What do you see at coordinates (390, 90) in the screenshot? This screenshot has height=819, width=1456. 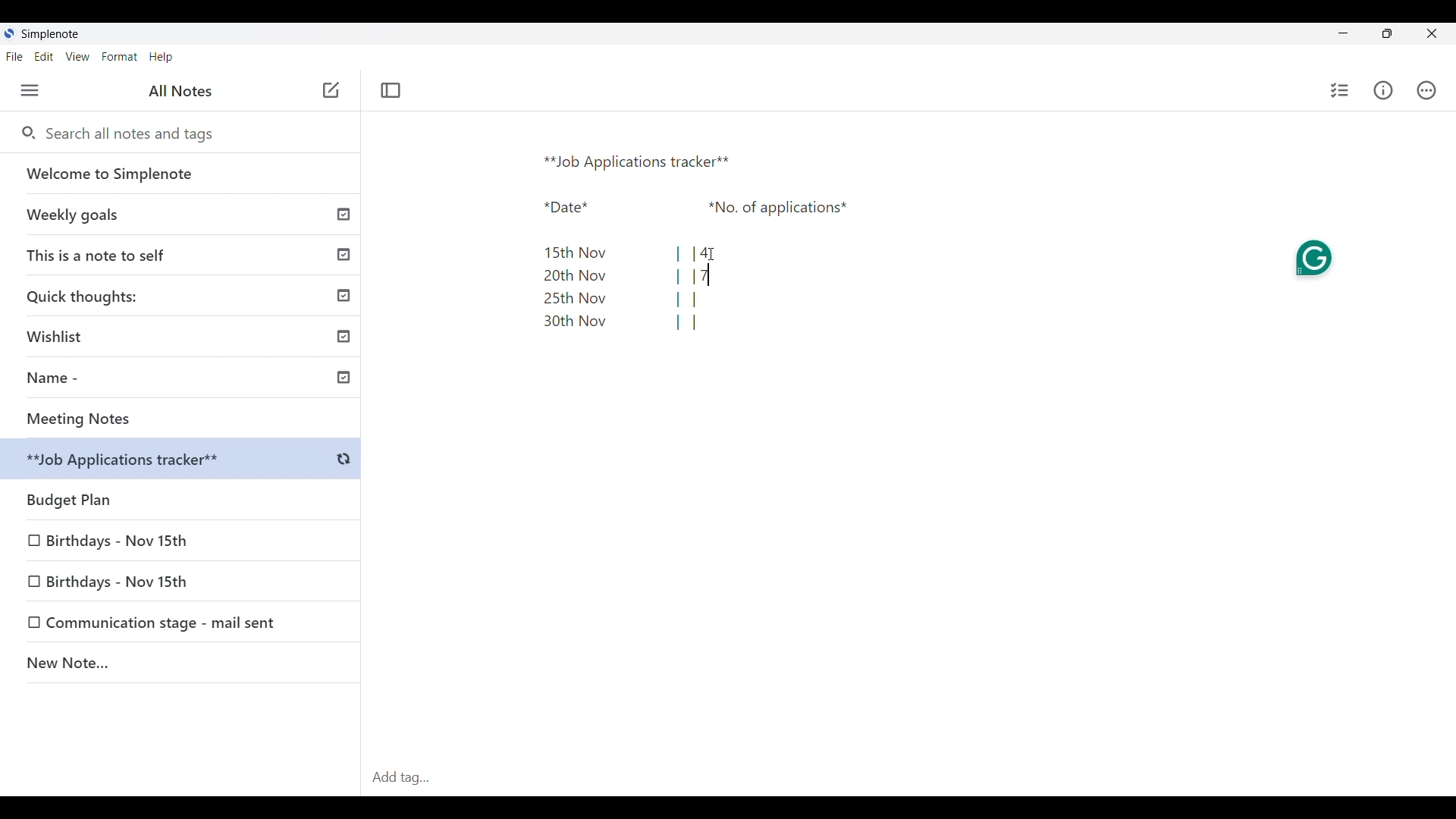 I see `Toggle focus mode` at bounding box center [390, 90].